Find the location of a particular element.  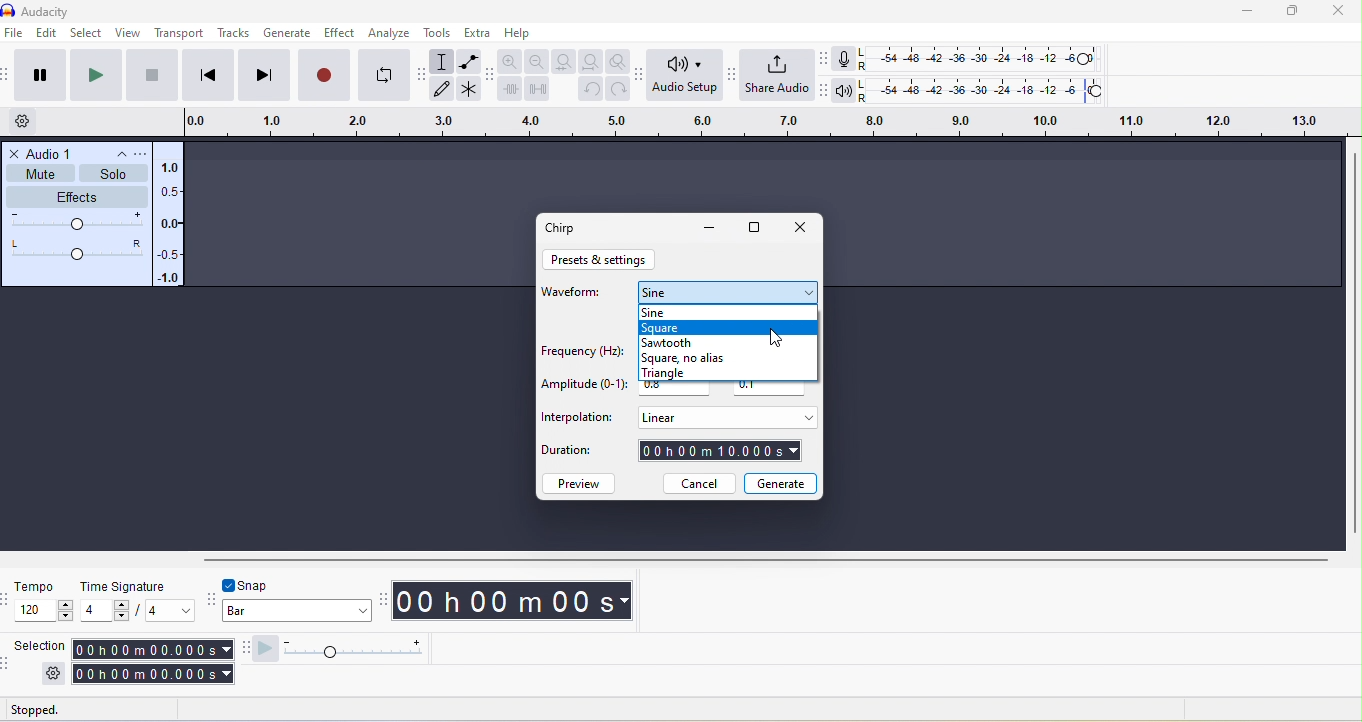

cursor movement is located at coordinates (779, 336).